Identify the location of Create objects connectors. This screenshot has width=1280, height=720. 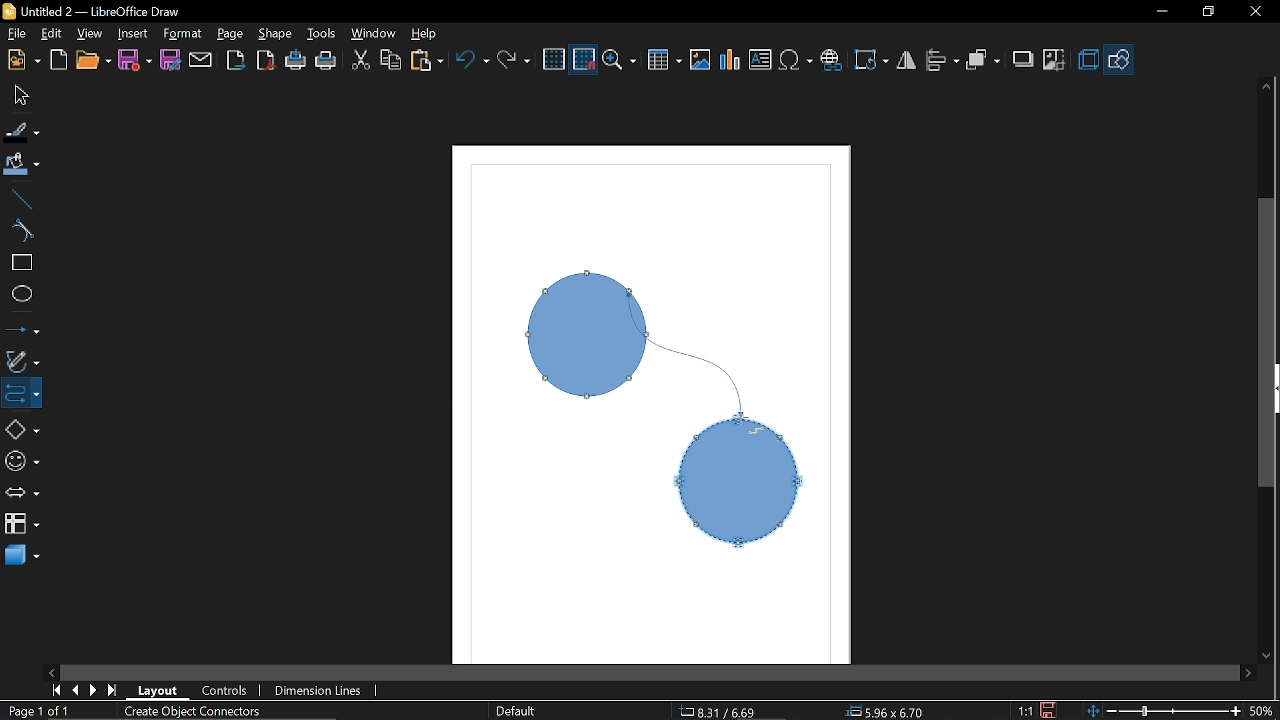
(192, 712).